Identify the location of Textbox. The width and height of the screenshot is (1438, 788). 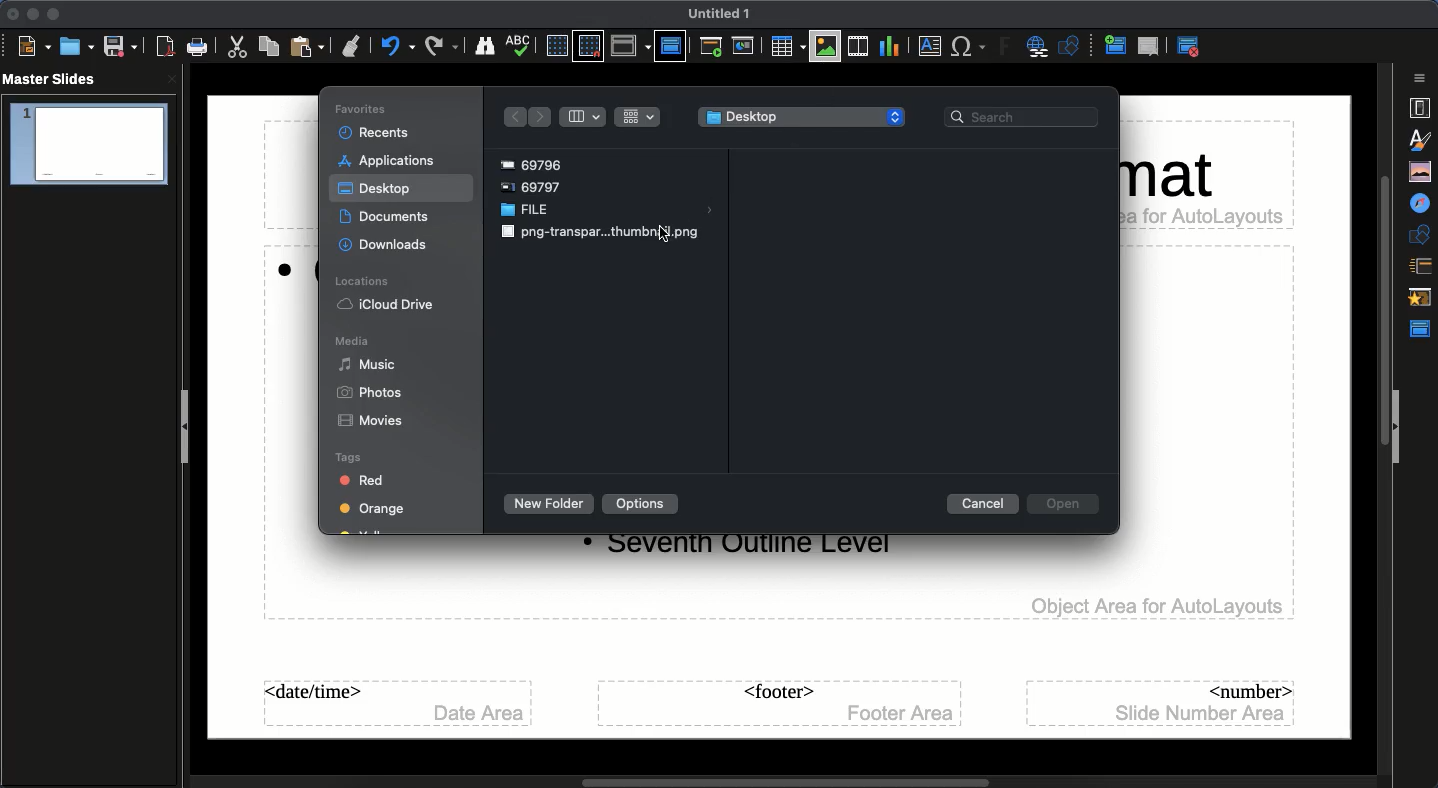
(927, 47).